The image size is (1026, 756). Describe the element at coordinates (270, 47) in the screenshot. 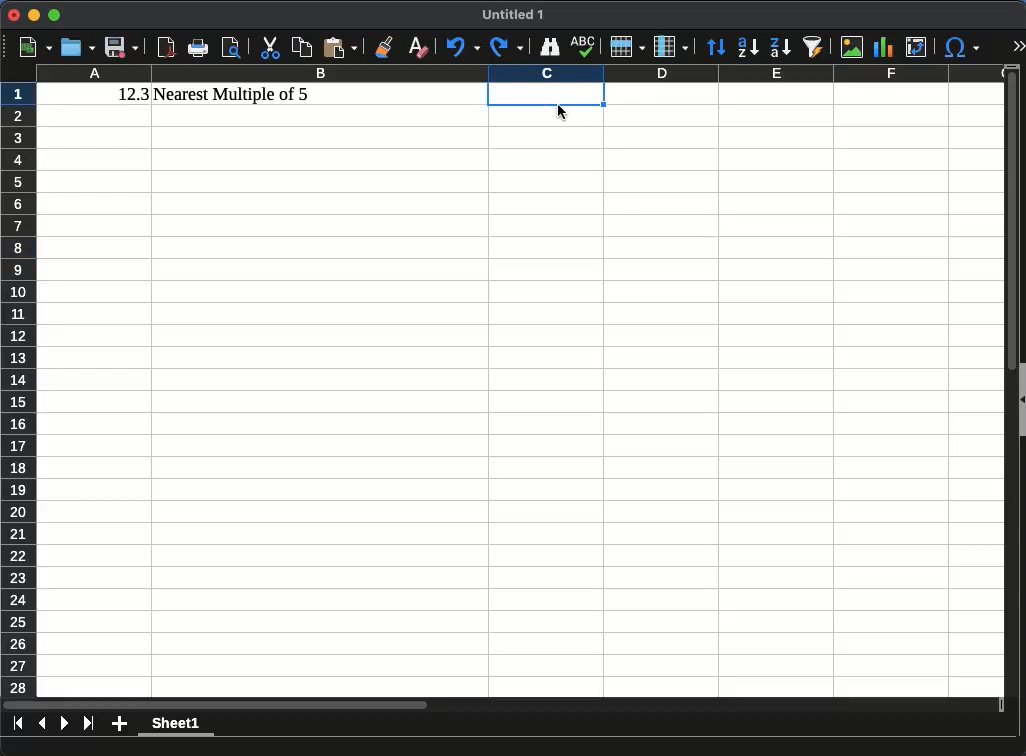

I see `cut` at that location.